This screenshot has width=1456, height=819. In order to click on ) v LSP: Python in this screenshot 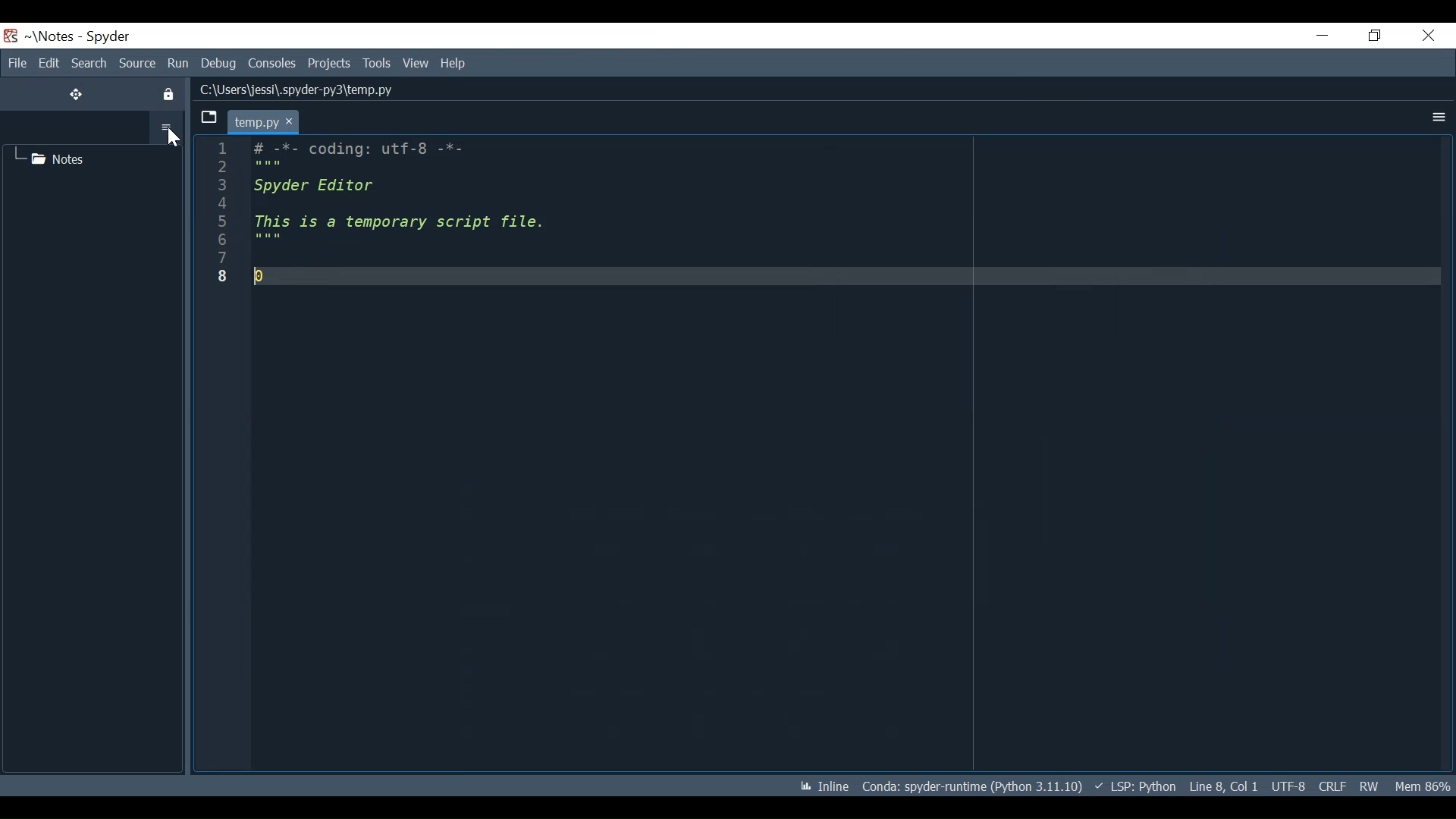, I will do `click(1136, 786)`.